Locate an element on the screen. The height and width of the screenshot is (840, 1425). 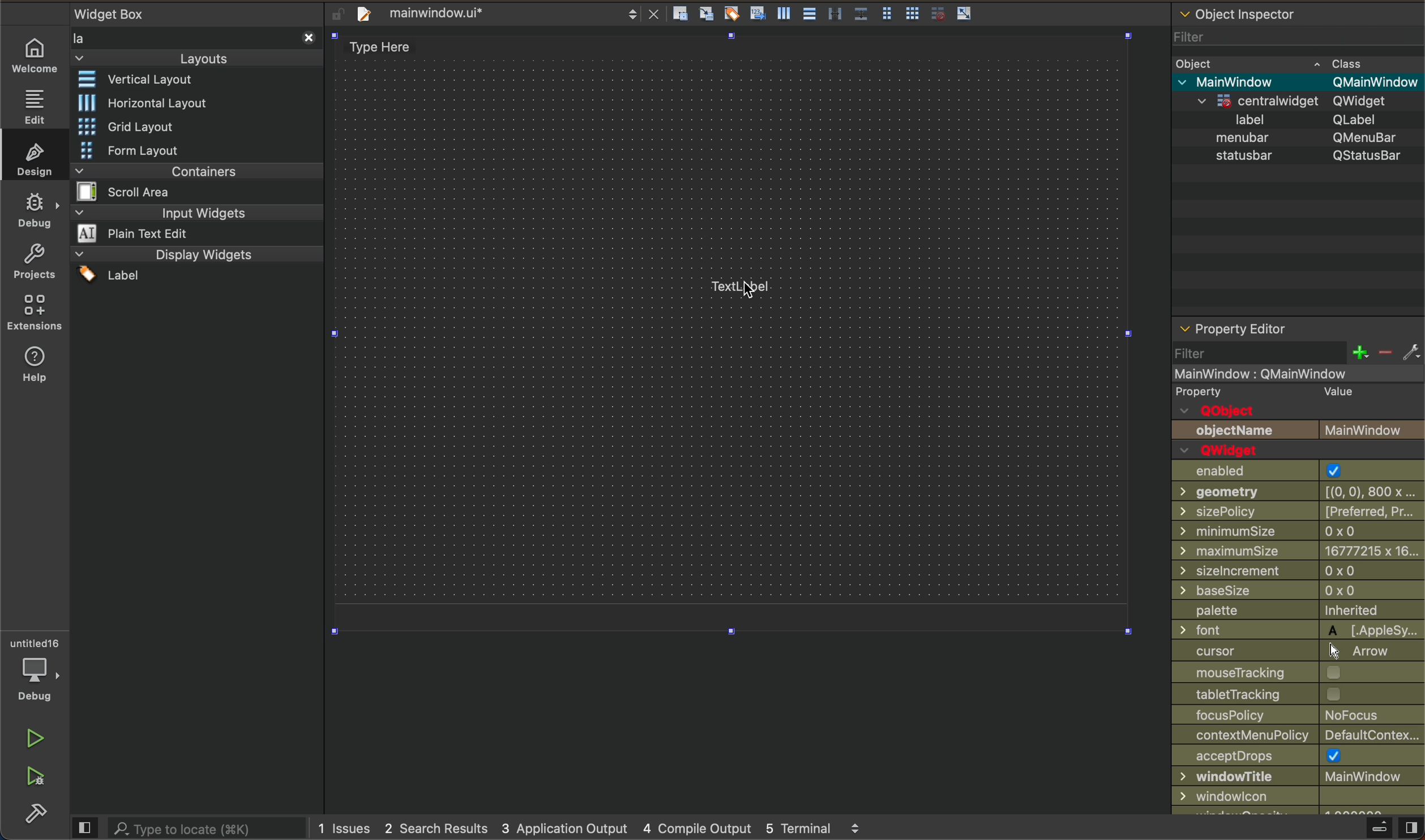
welcome is located at coordinates (36, 59).